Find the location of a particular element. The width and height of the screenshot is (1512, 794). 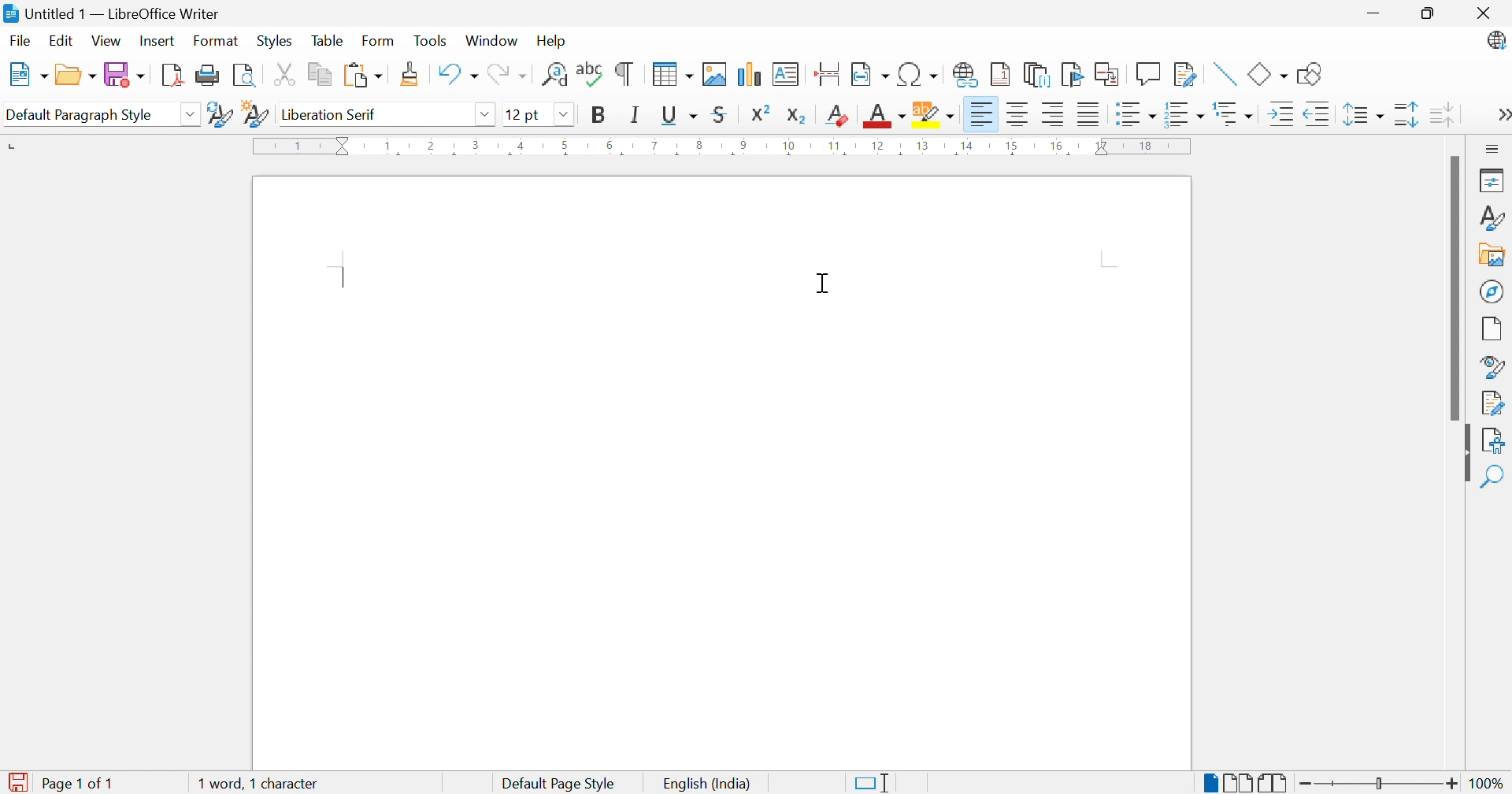

Default Paragraph Style is located at coordinates (80, 115).